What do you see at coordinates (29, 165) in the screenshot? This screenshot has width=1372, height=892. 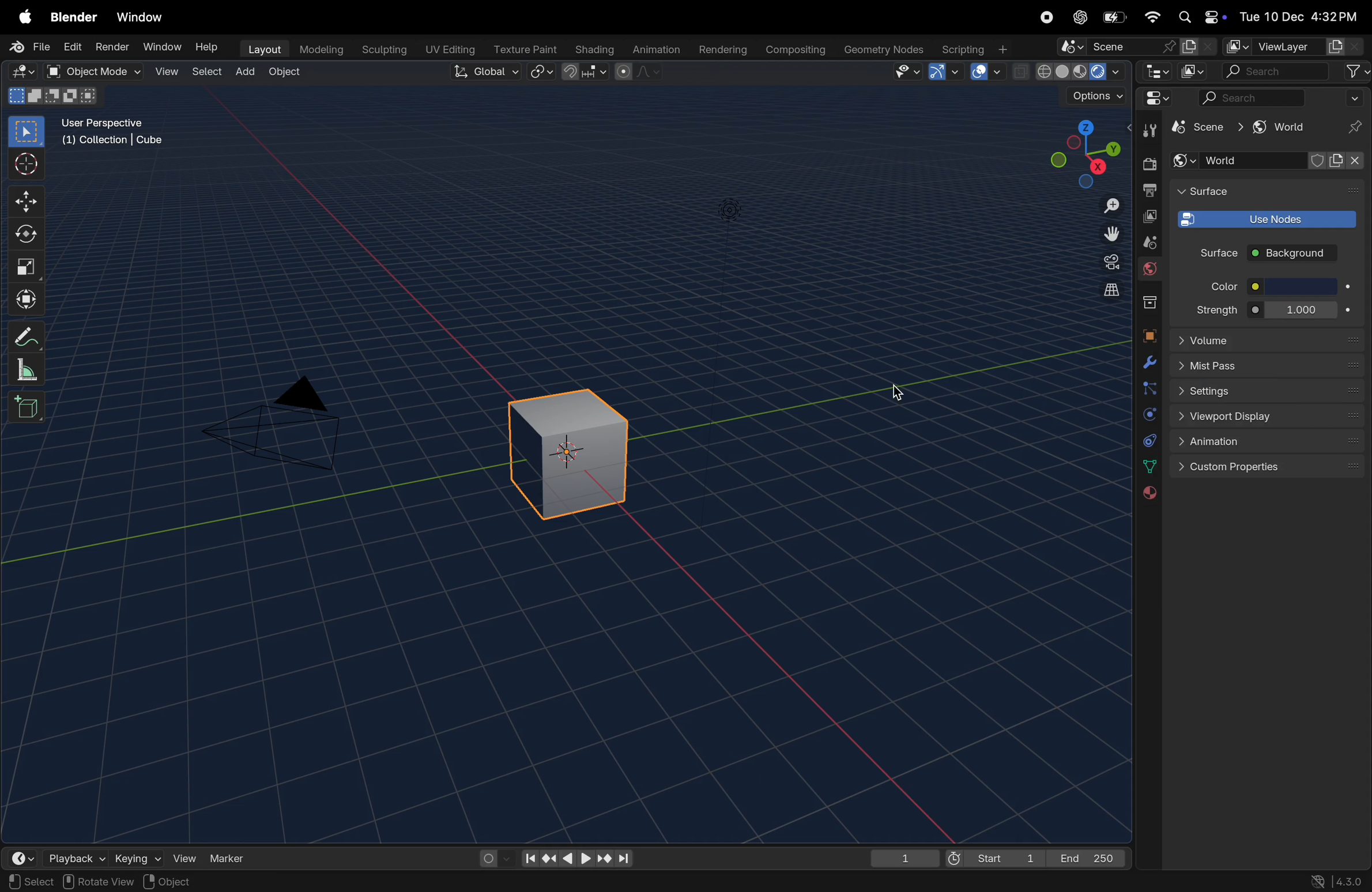 I see `cursor` at bounding box center [29, 165].